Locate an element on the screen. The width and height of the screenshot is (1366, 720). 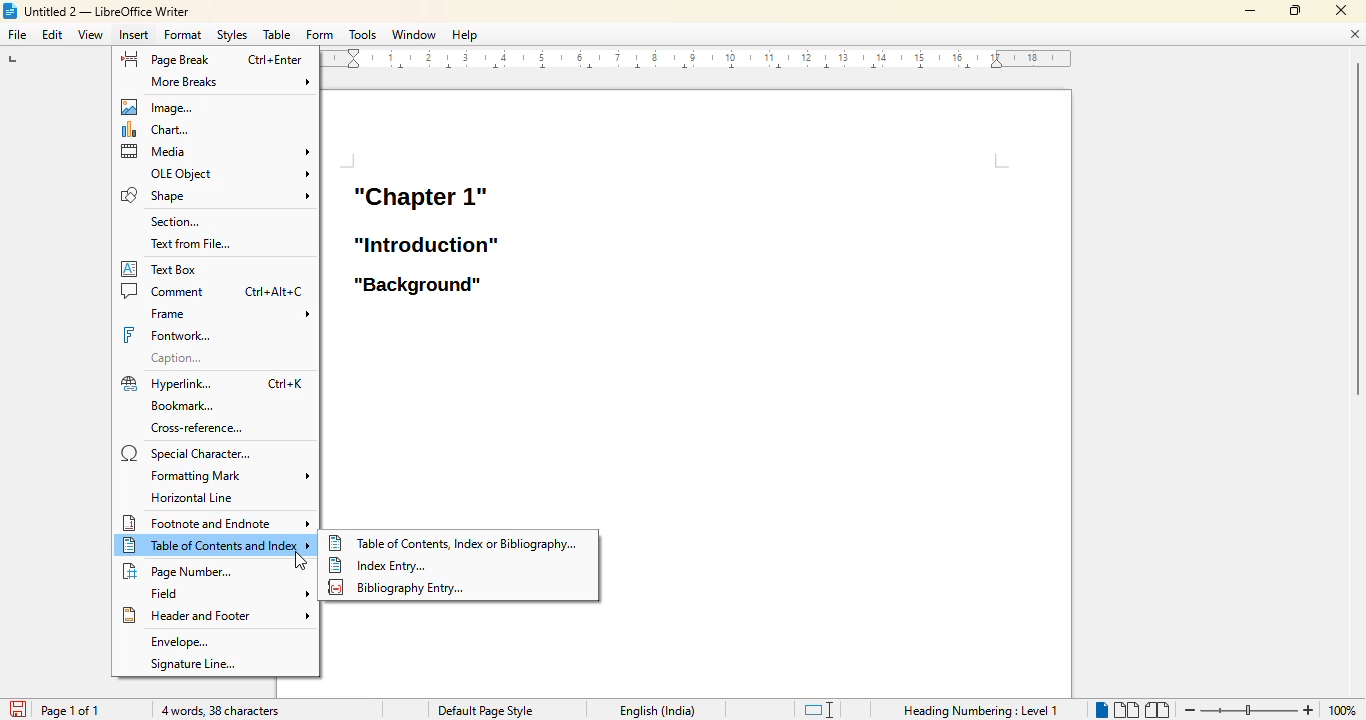
zoom factor is located at coordinates (1344, 711).